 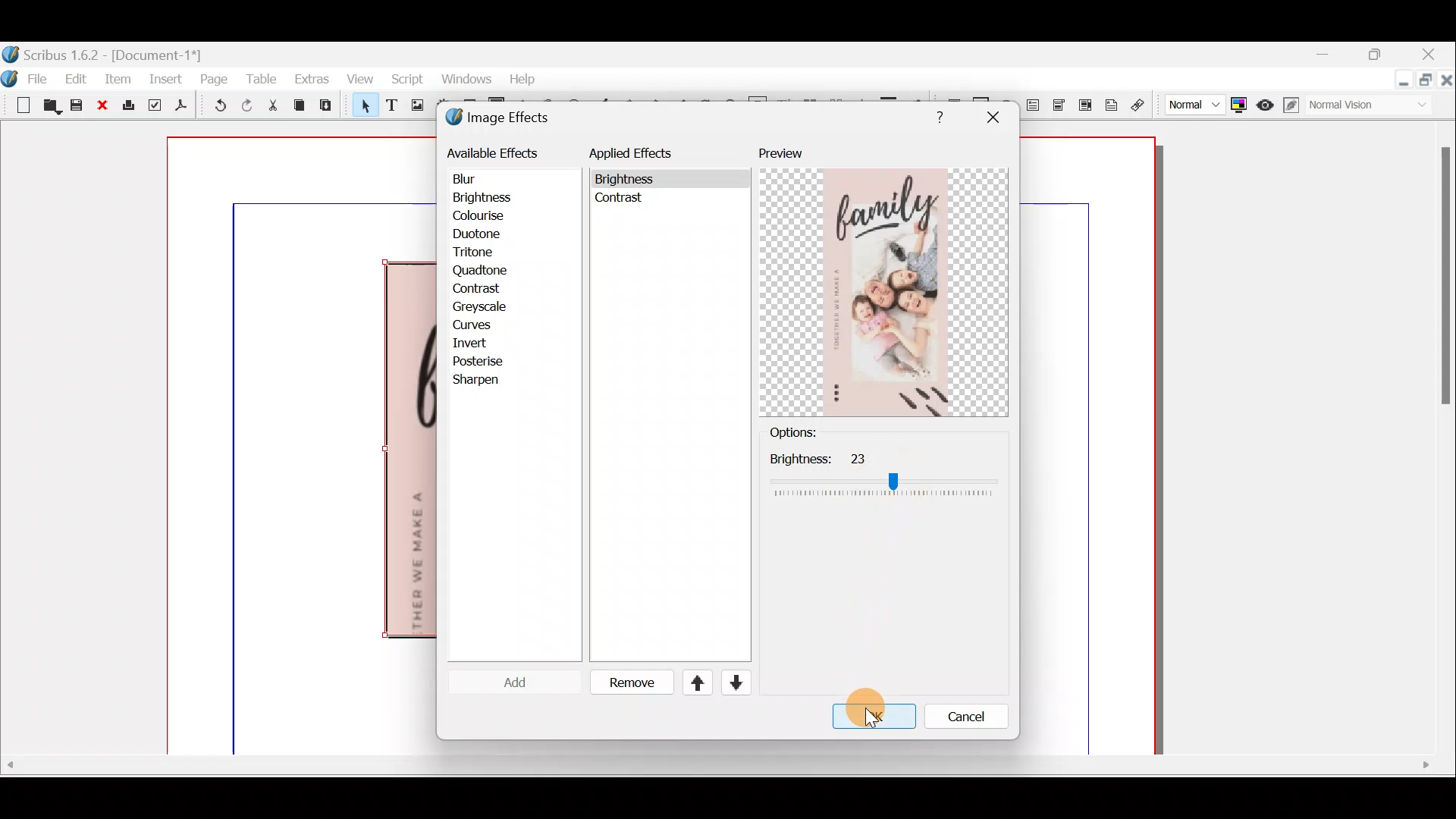 I want to click on Visual appearance of display, so click(x=1376, y=106).